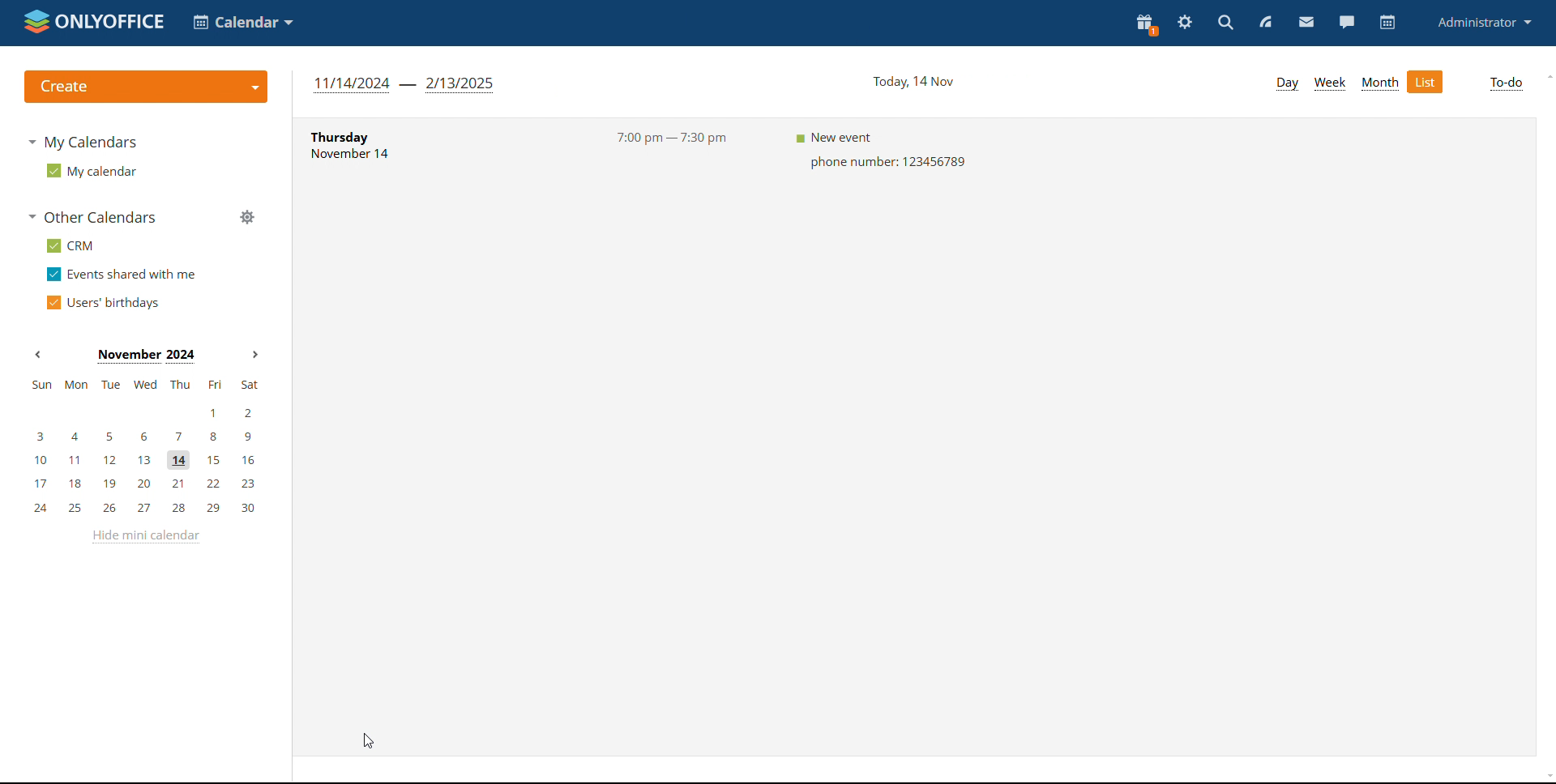  What do you see at coordinates (1285, 86) in the screenshot?
I see `day` at bounding box center [1285, 86].